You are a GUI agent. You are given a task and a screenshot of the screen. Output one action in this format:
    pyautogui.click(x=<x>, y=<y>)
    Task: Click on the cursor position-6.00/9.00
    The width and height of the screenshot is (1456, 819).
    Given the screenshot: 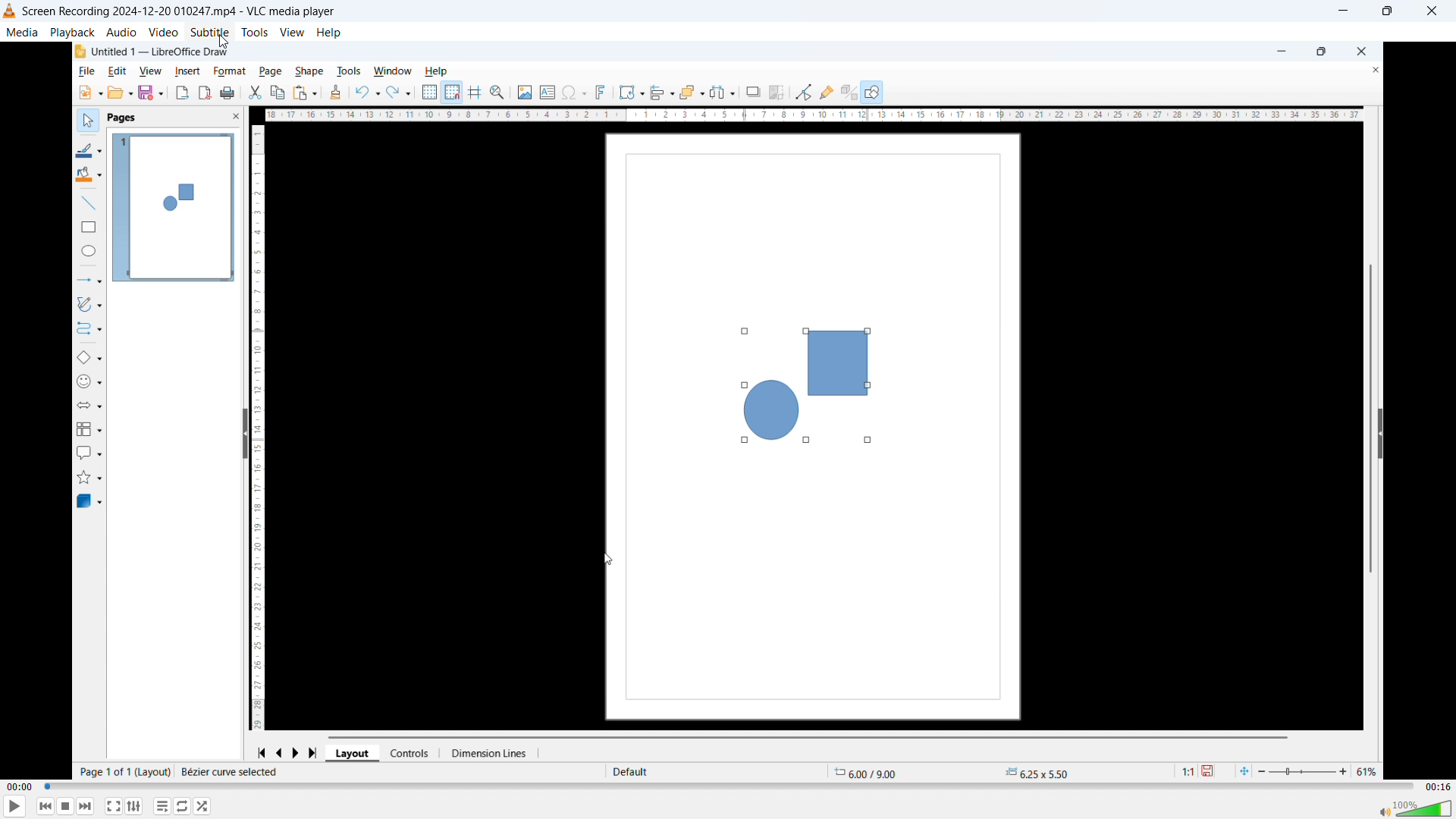 What is the action you would take?
    pyautogui.click(x=872, y=770)
    